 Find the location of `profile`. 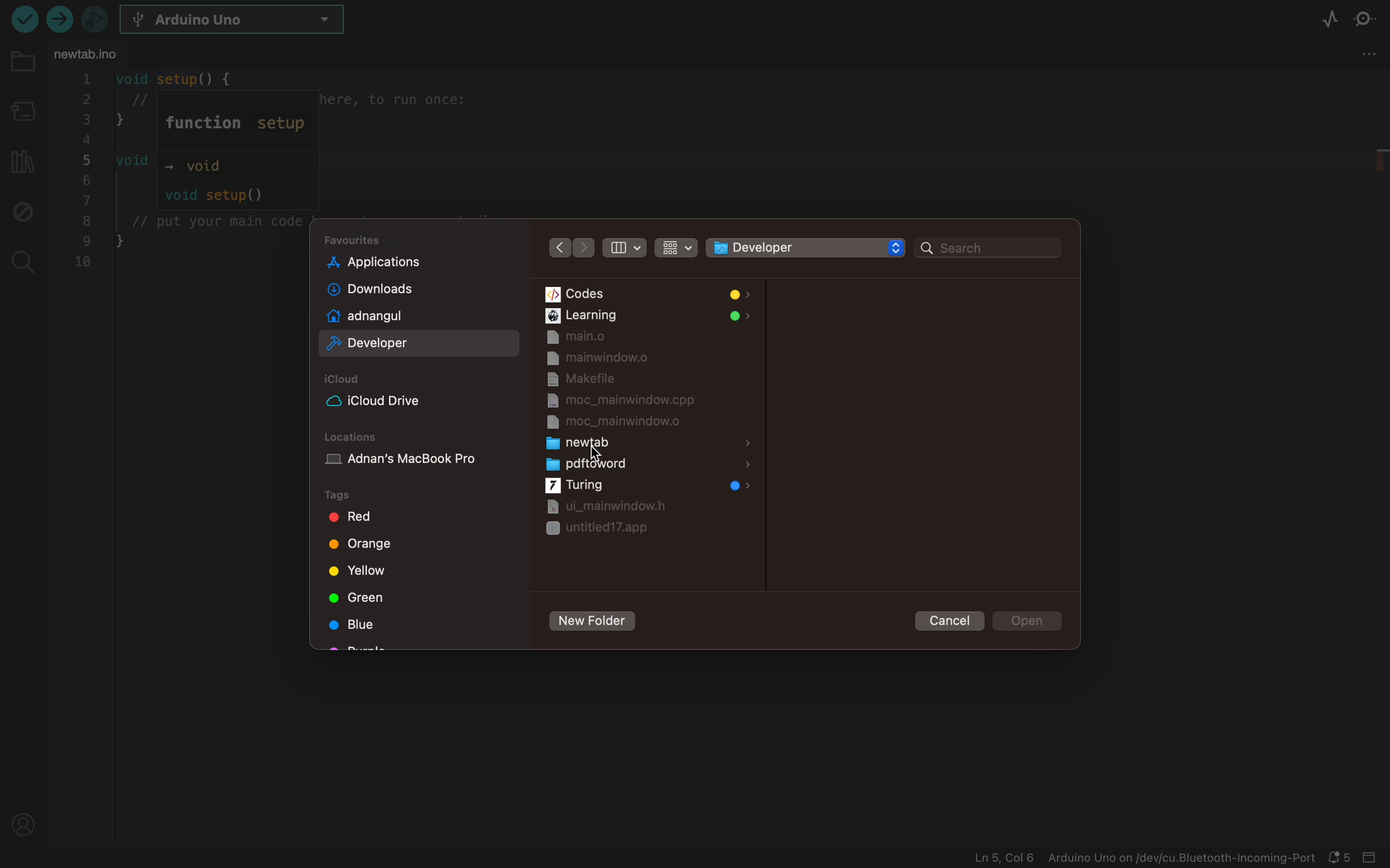

profile is located at coordinates (25, 821).